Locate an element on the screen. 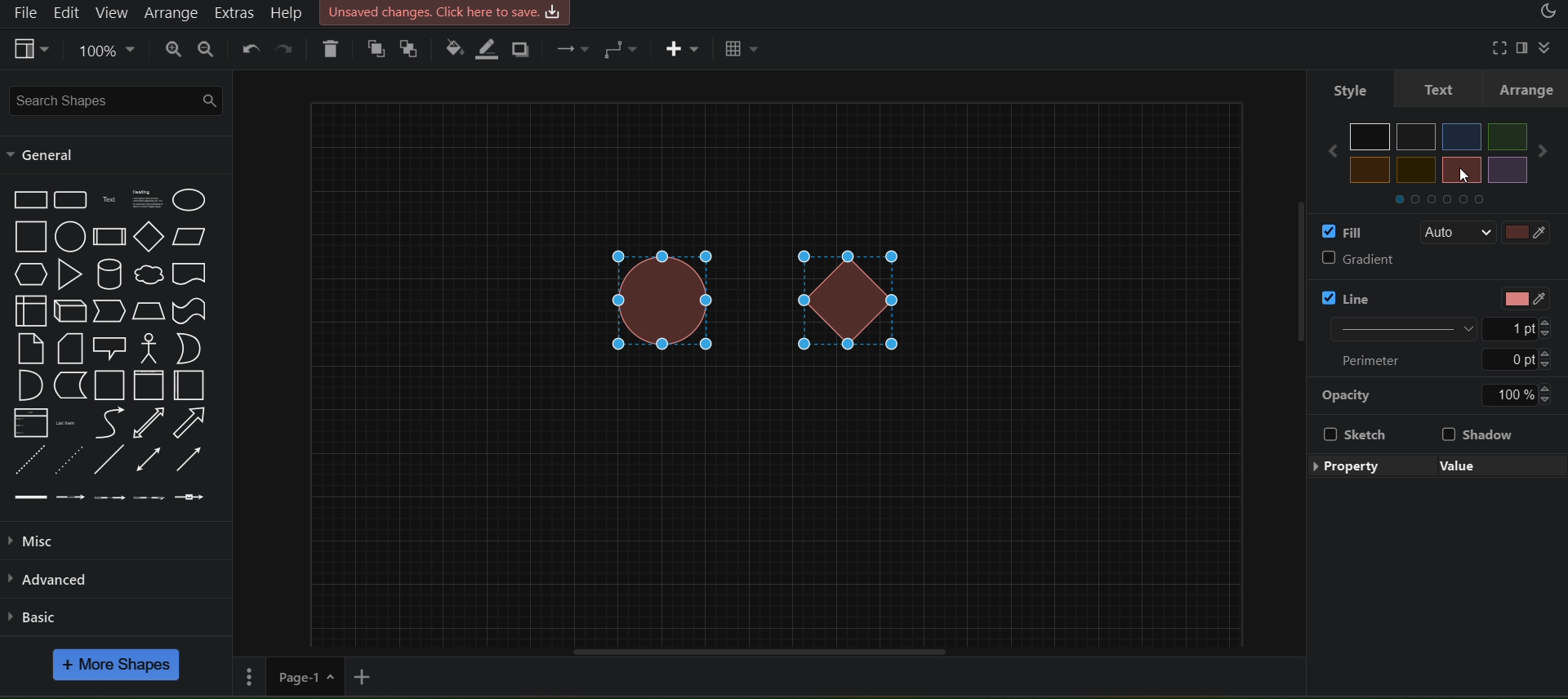 This screenshot has width=1568, height=699. Rectangle is located at coordinates (30, 201).